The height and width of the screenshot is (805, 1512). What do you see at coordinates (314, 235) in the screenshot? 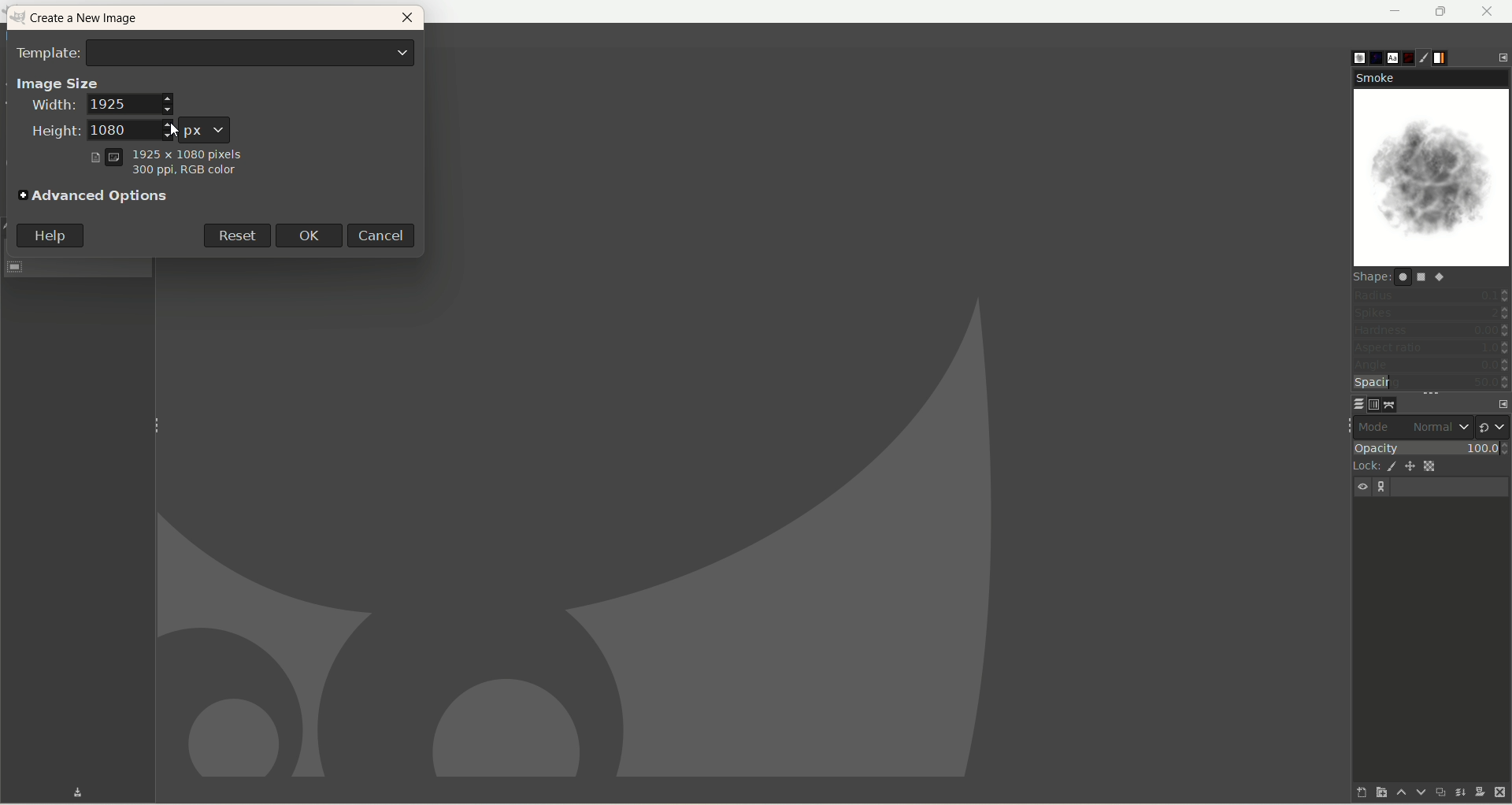
I see `ok` at bounding box center [314, 235].